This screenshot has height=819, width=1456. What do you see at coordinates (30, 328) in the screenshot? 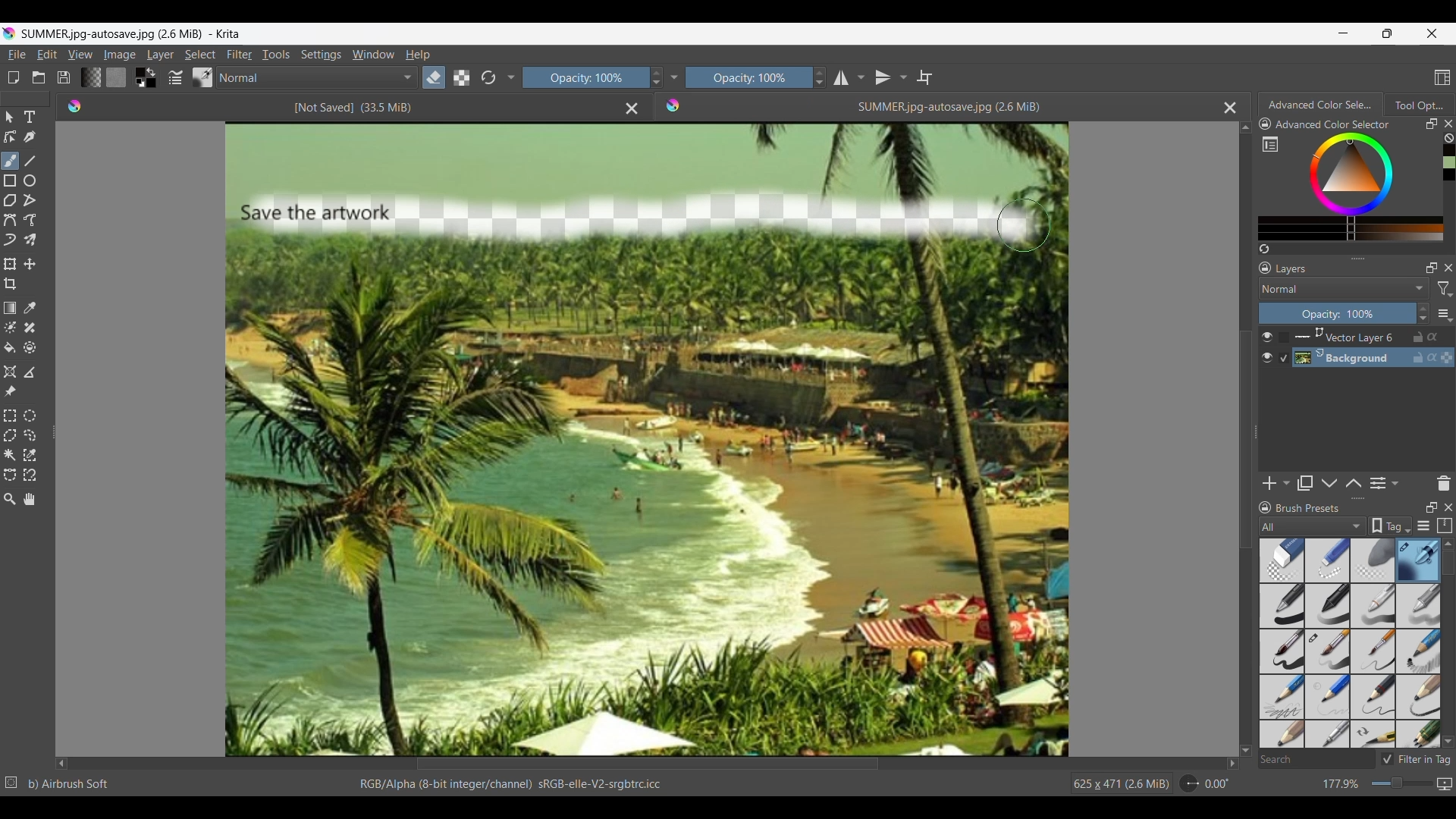
I see `Smart patch tool` at bounding box center [30, 328].